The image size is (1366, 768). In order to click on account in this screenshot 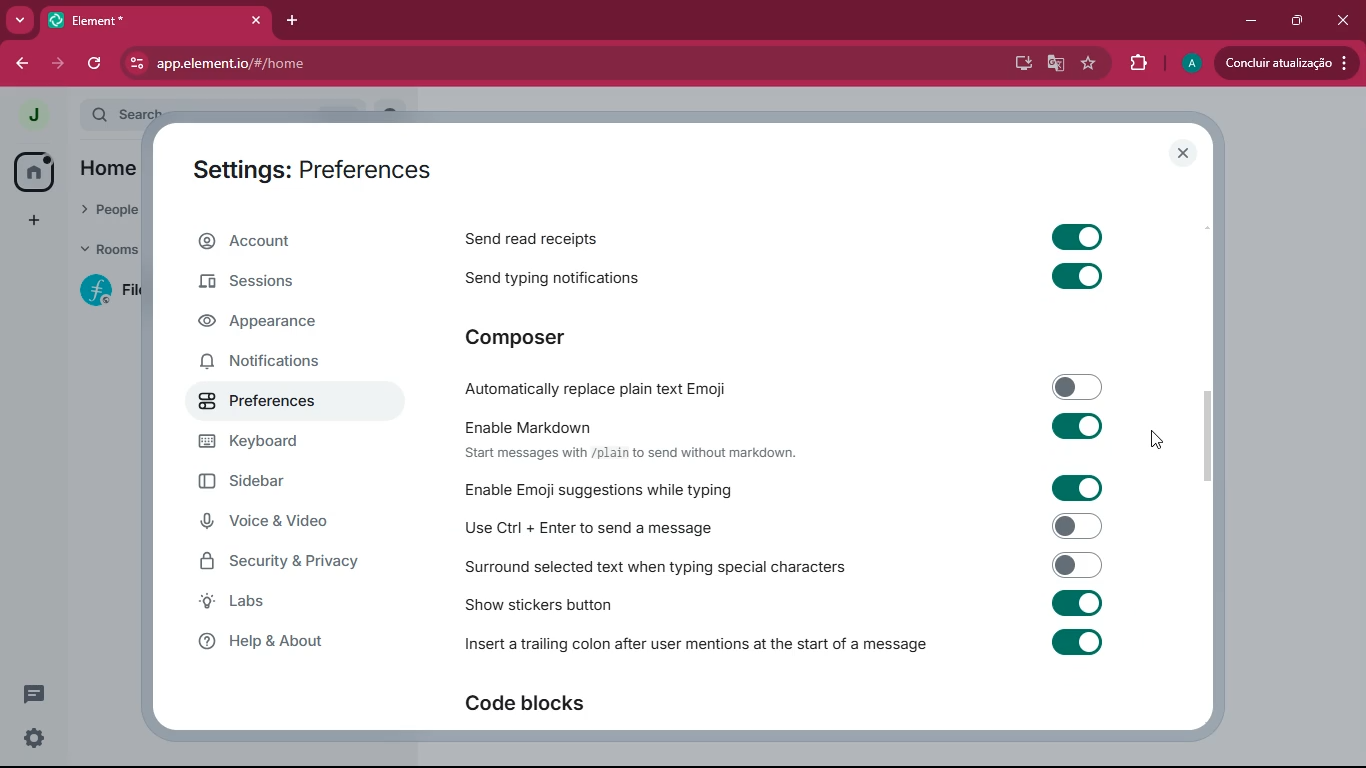, I will do `click(290, 242)`.